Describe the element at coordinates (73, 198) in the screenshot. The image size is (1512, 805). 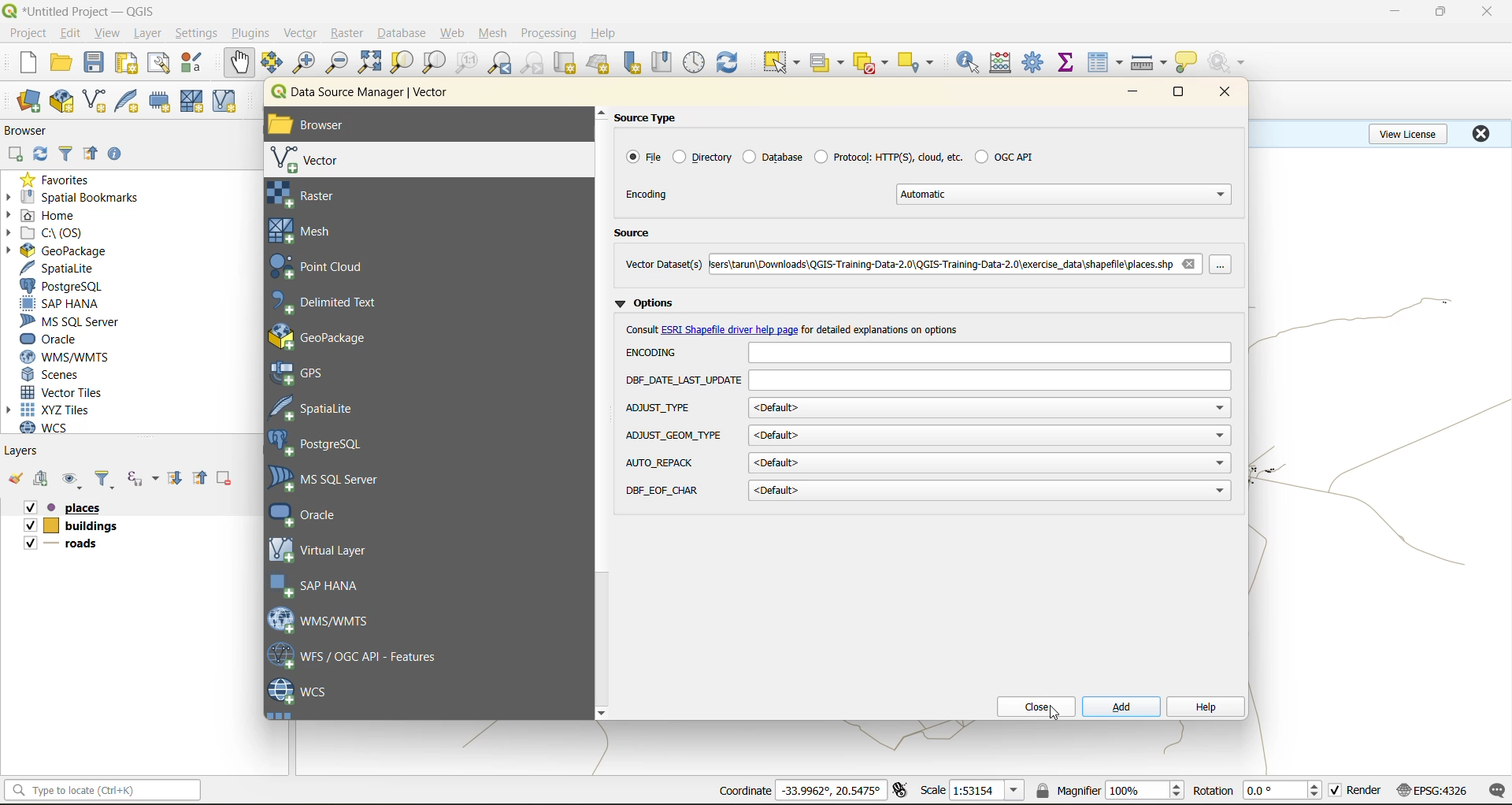
I see `spatial bookmarks` at that location.